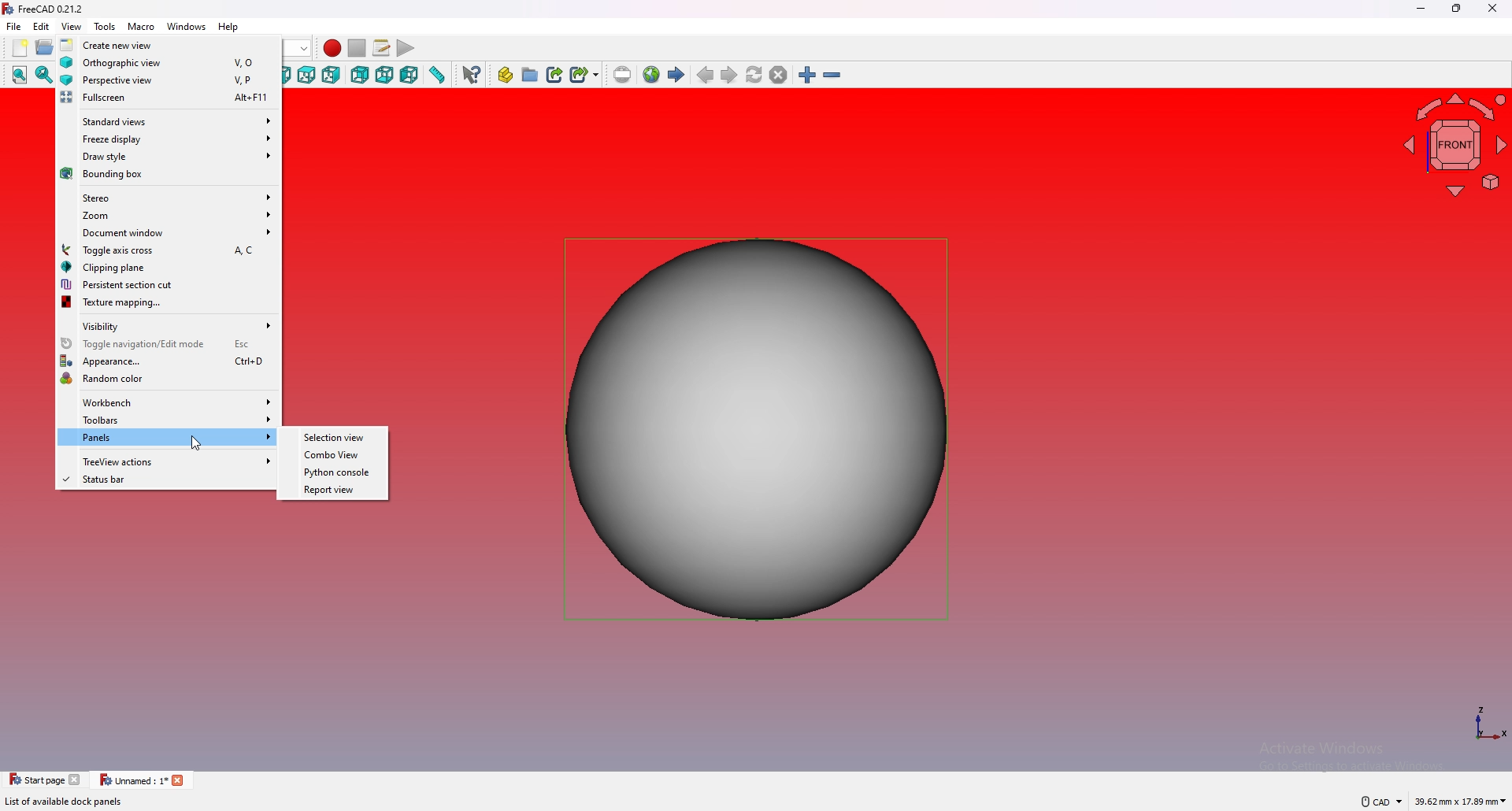 Image resolution: width=1512 pixels, height=811 pixels. I want to click on start page, so click(676, 75).